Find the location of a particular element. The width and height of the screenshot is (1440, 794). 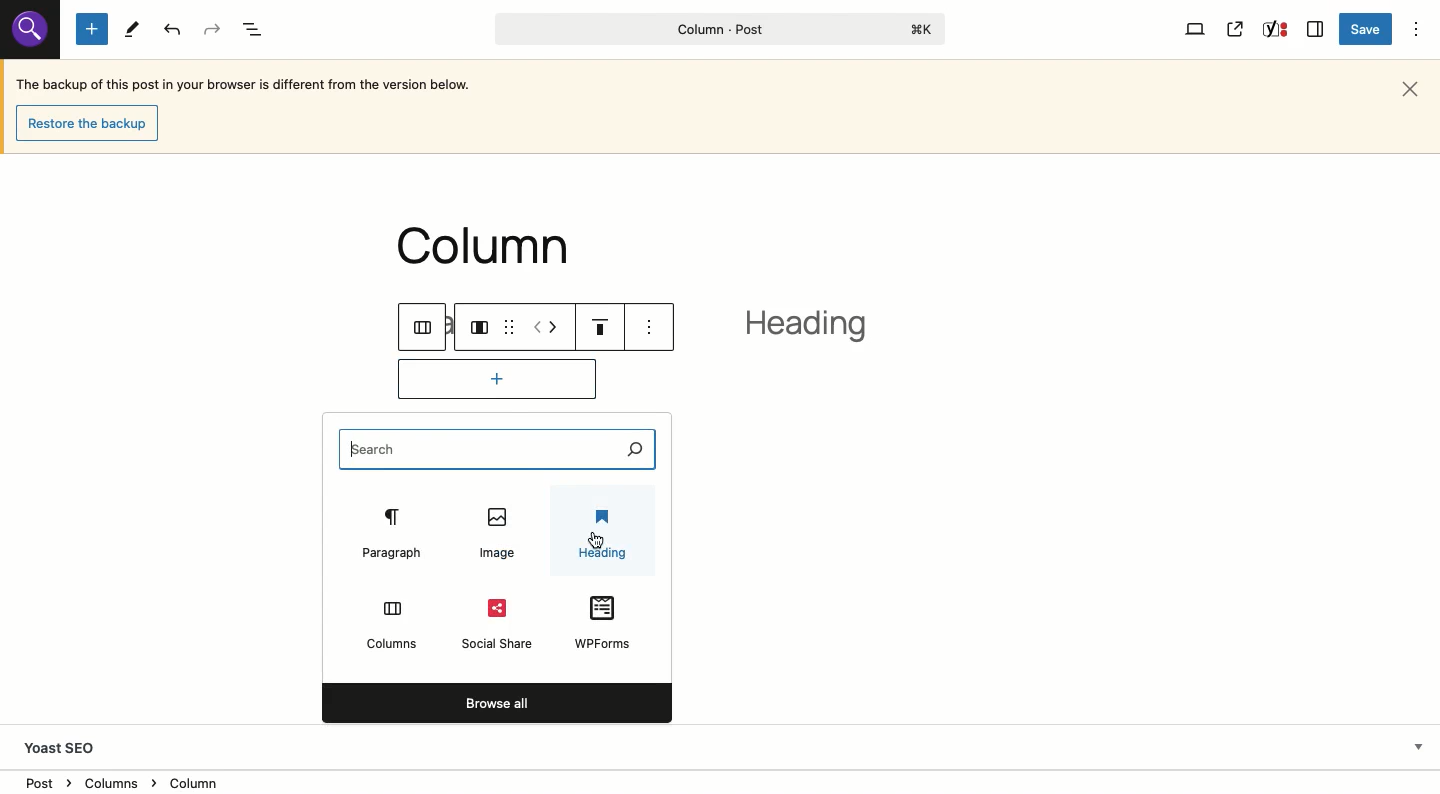

Move left right is located at coordinates (547, 326).